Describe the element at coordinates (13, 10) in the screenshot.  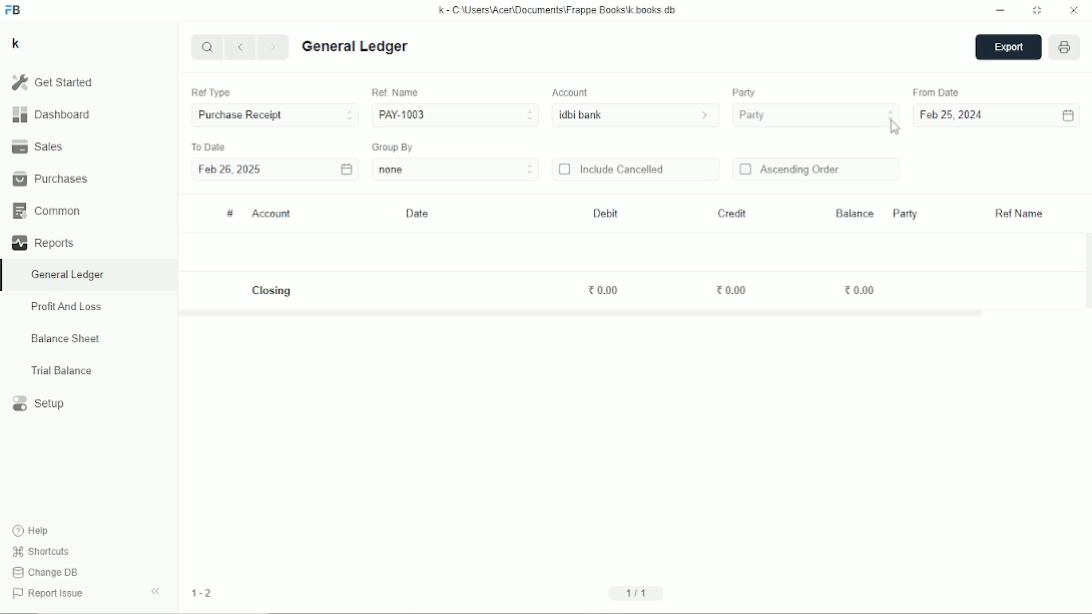
I see `FB` at that location.